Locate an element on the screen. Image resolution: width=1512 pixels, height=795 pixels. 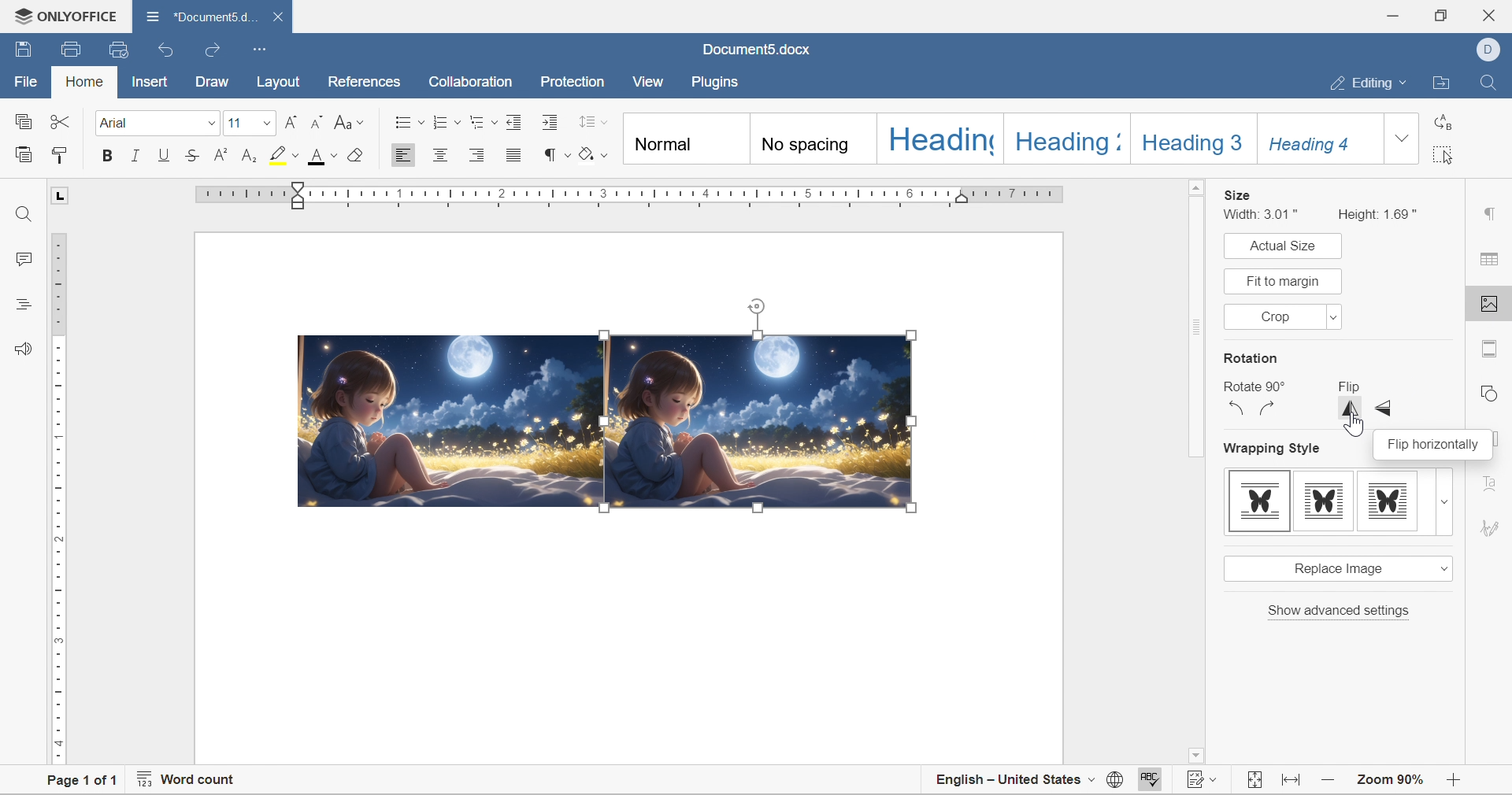
replace is located at coordinates (1441, 120).